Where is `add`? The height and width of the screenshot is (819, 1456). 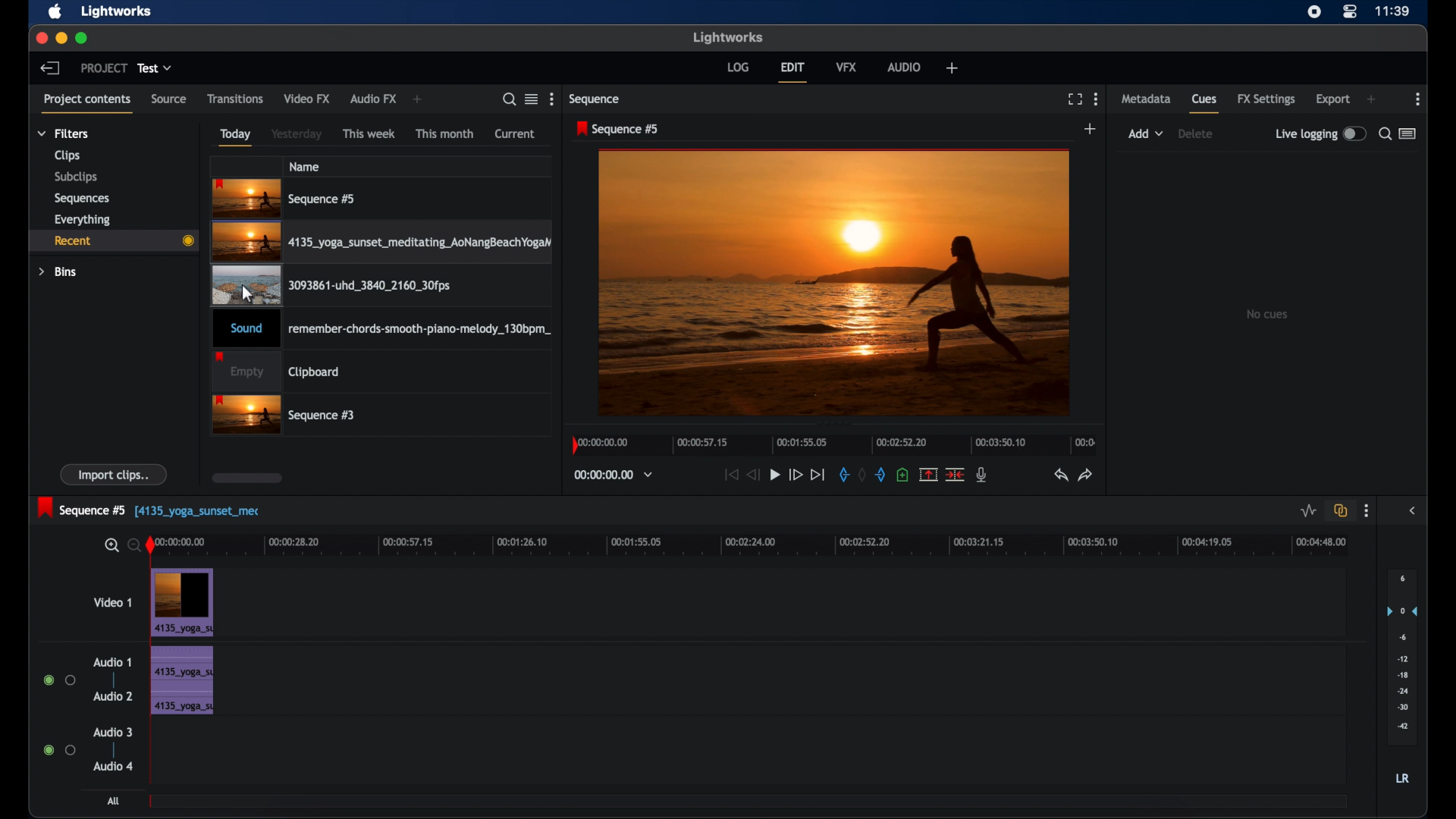 add is located at coordinates (1092, 128).